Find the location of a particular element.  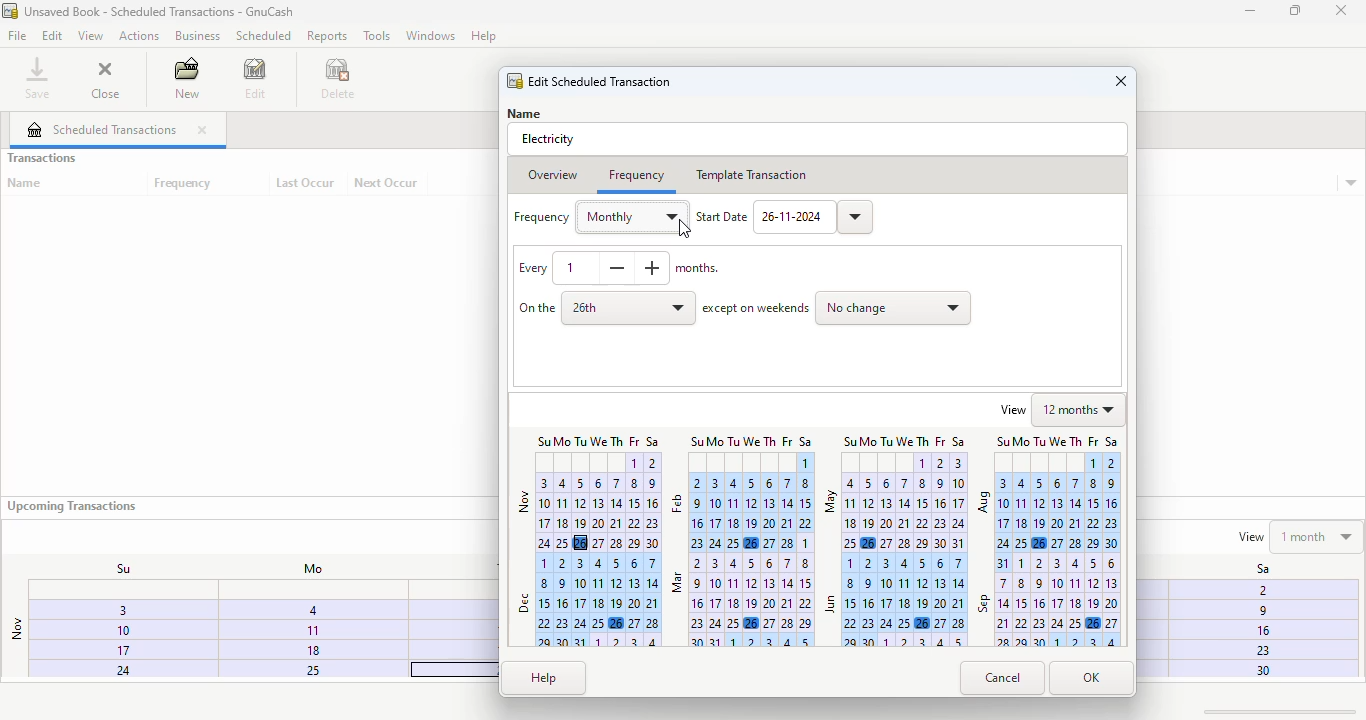

maximize is located at coordinates (1295, 10).